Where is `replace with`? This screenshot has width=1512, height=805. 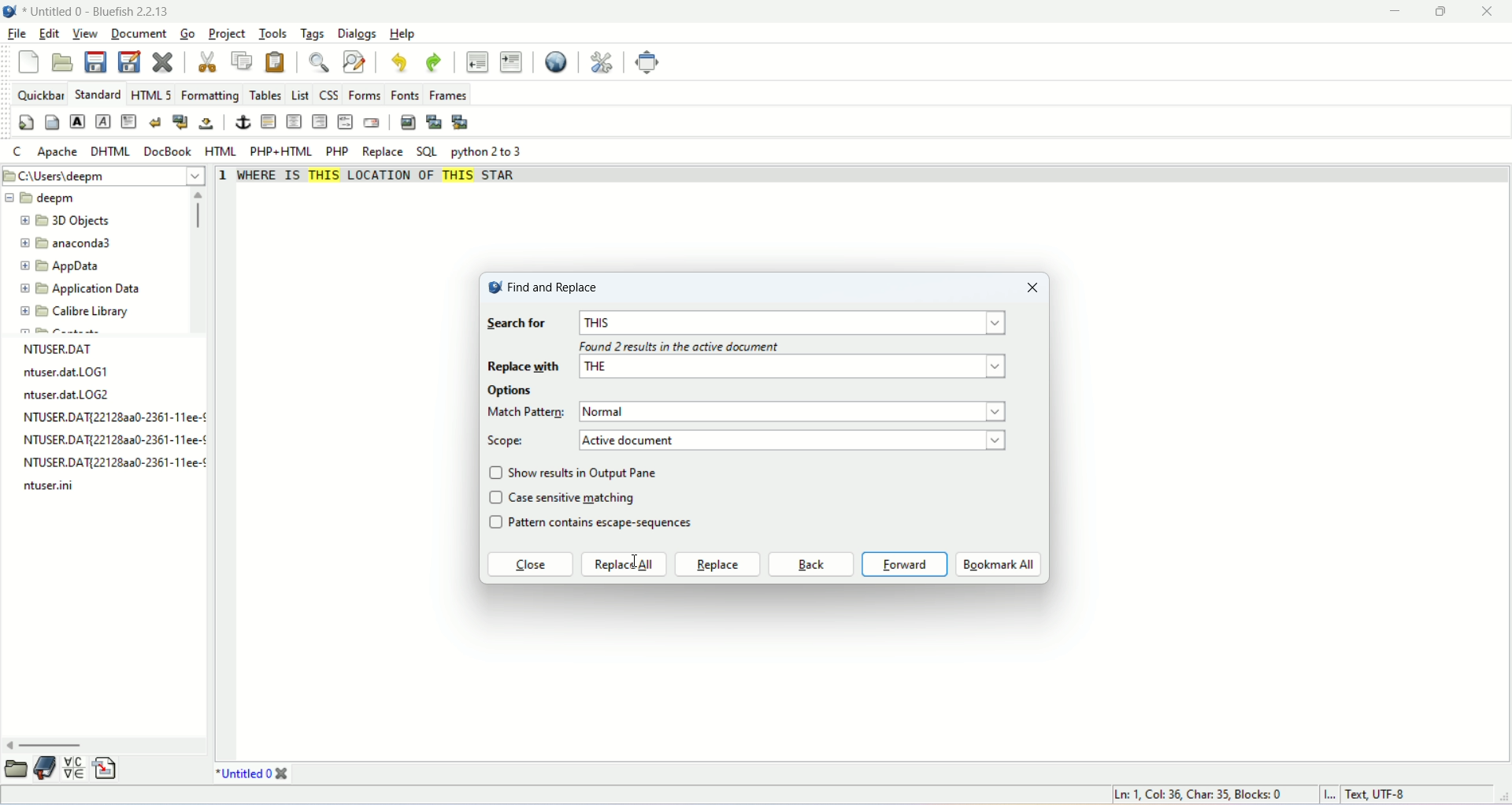
replace with is located at coordinates (750, 369).